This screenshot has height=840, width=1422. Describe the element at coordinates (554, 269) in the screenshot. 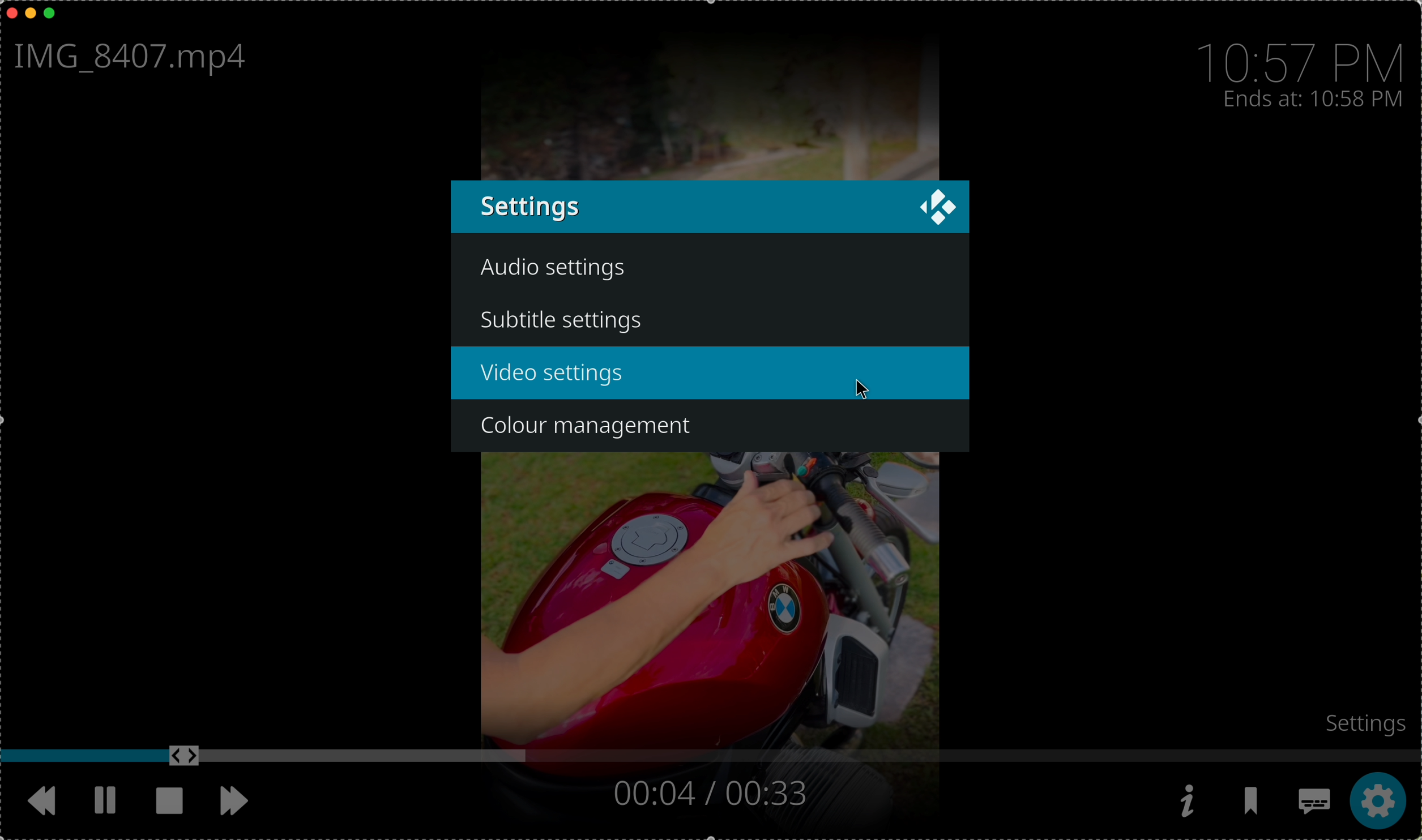

I see `audio settings` at that location.